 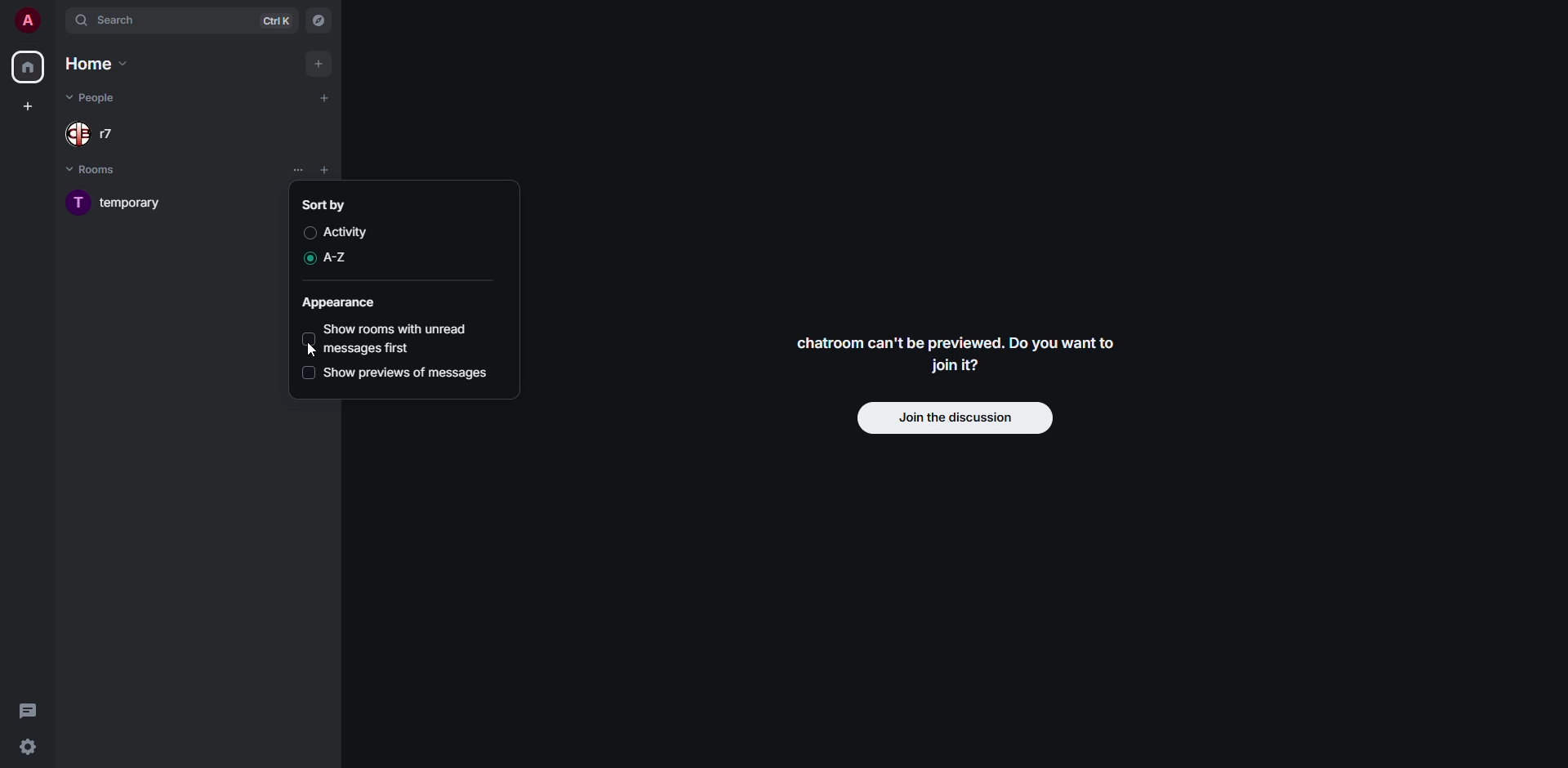 I want to click on add, so click(x=317, y=64).